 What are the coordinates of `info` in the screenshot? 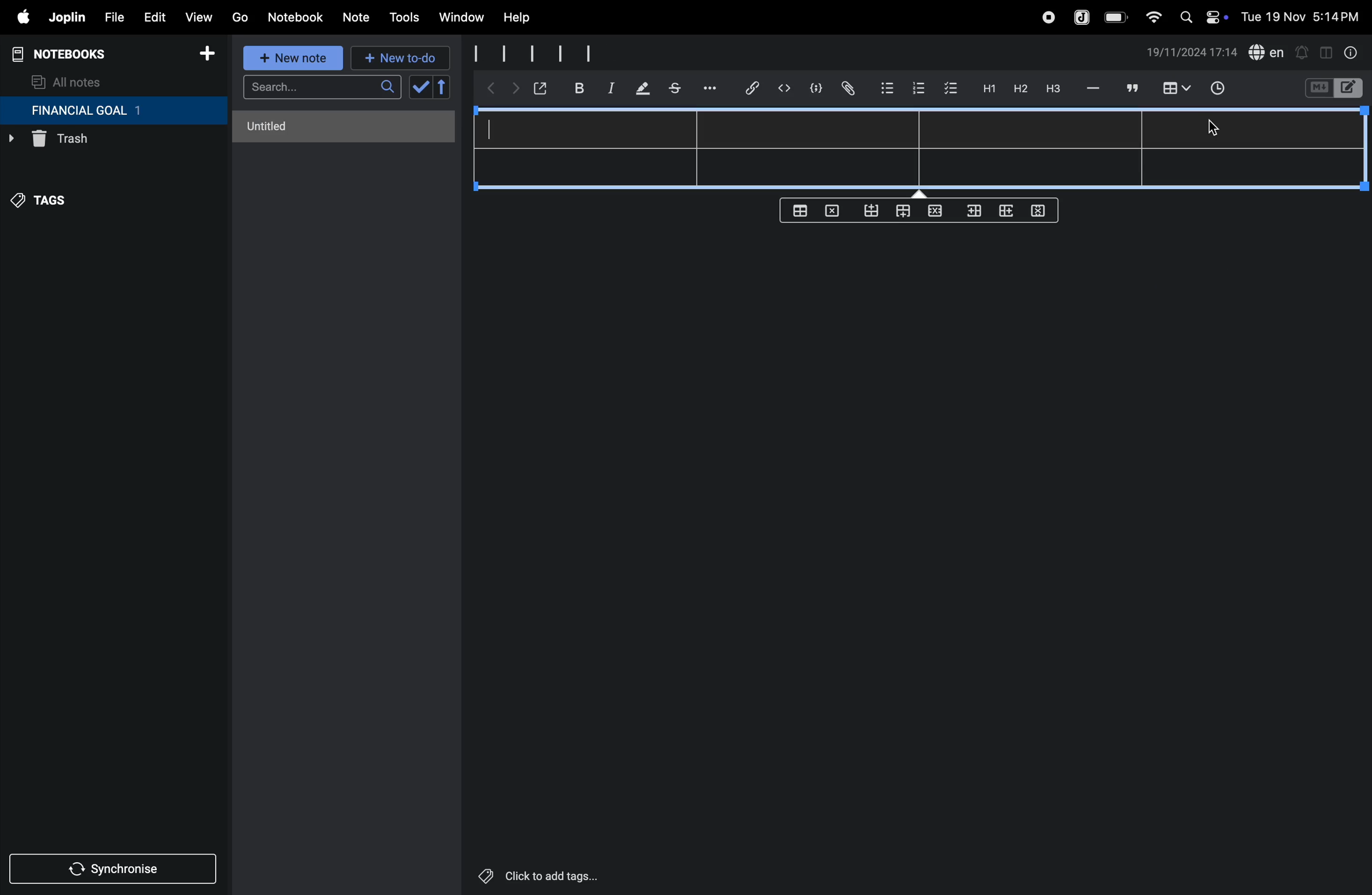 It's located at (1352, 52).